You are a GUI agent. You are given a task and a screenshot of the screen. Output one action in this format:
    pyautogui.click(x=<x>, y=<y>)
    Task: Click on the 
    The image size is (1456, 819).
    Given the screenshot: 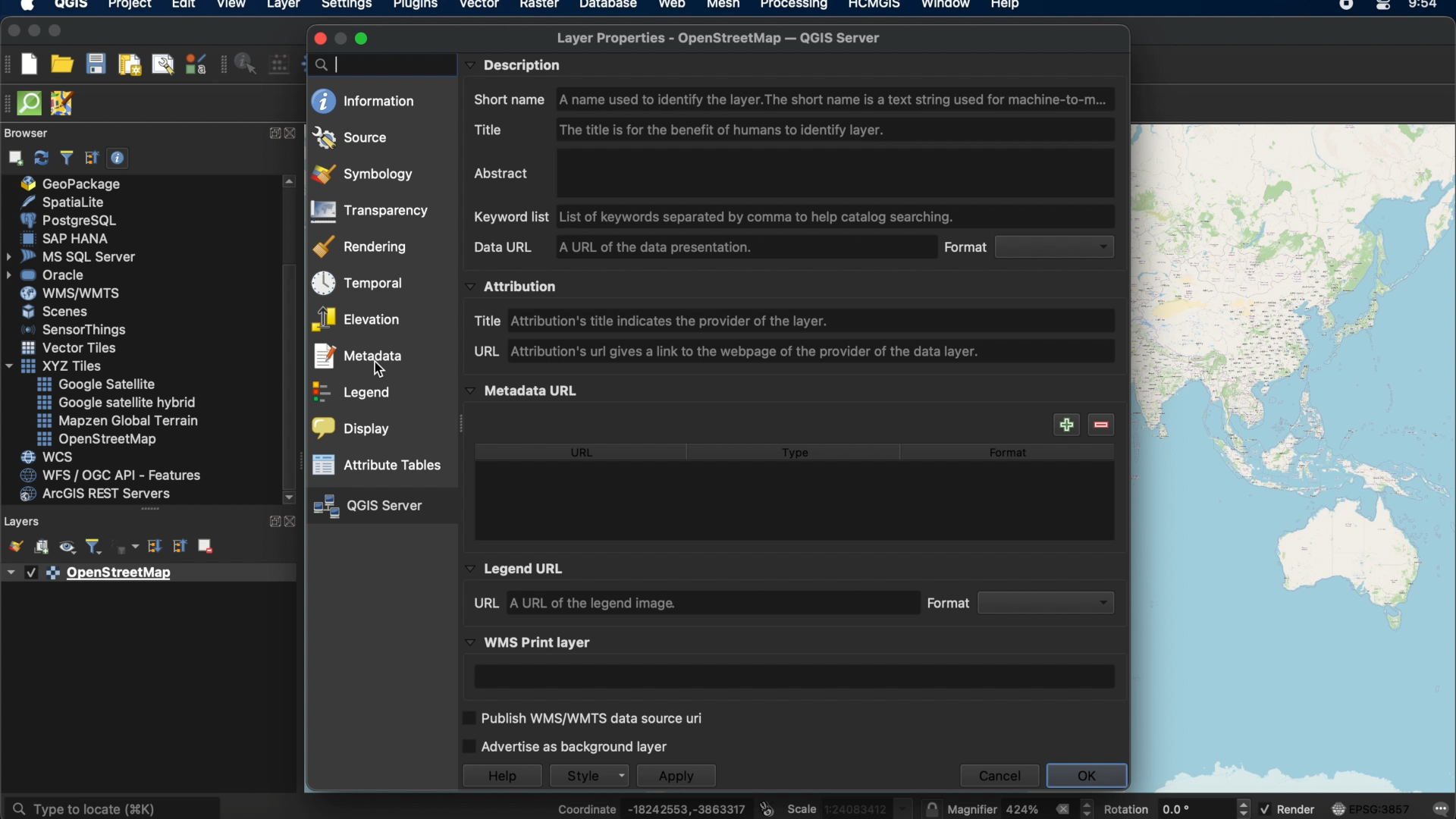 What is the action you would take?
    pyautogui.click(x=1031, y=245)
    